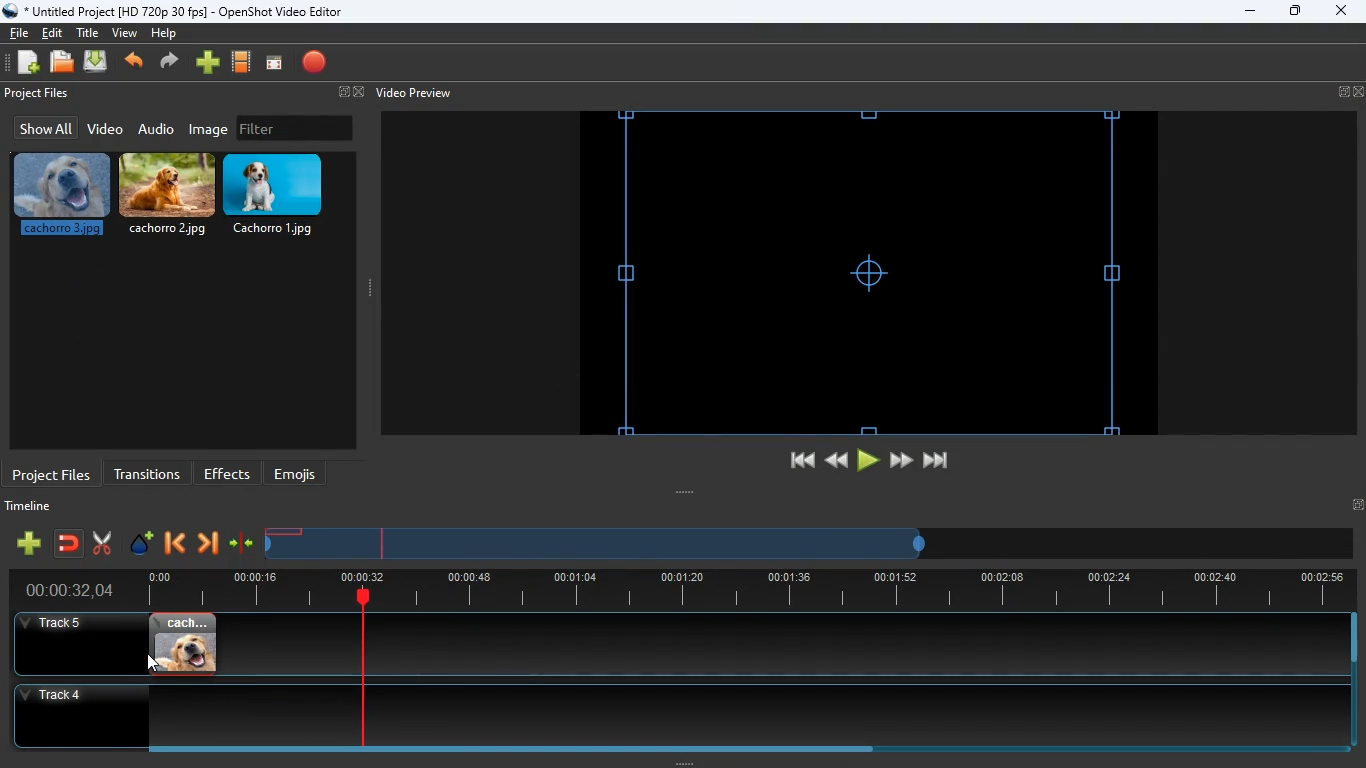  I want to click on compress, so click(242, 544).